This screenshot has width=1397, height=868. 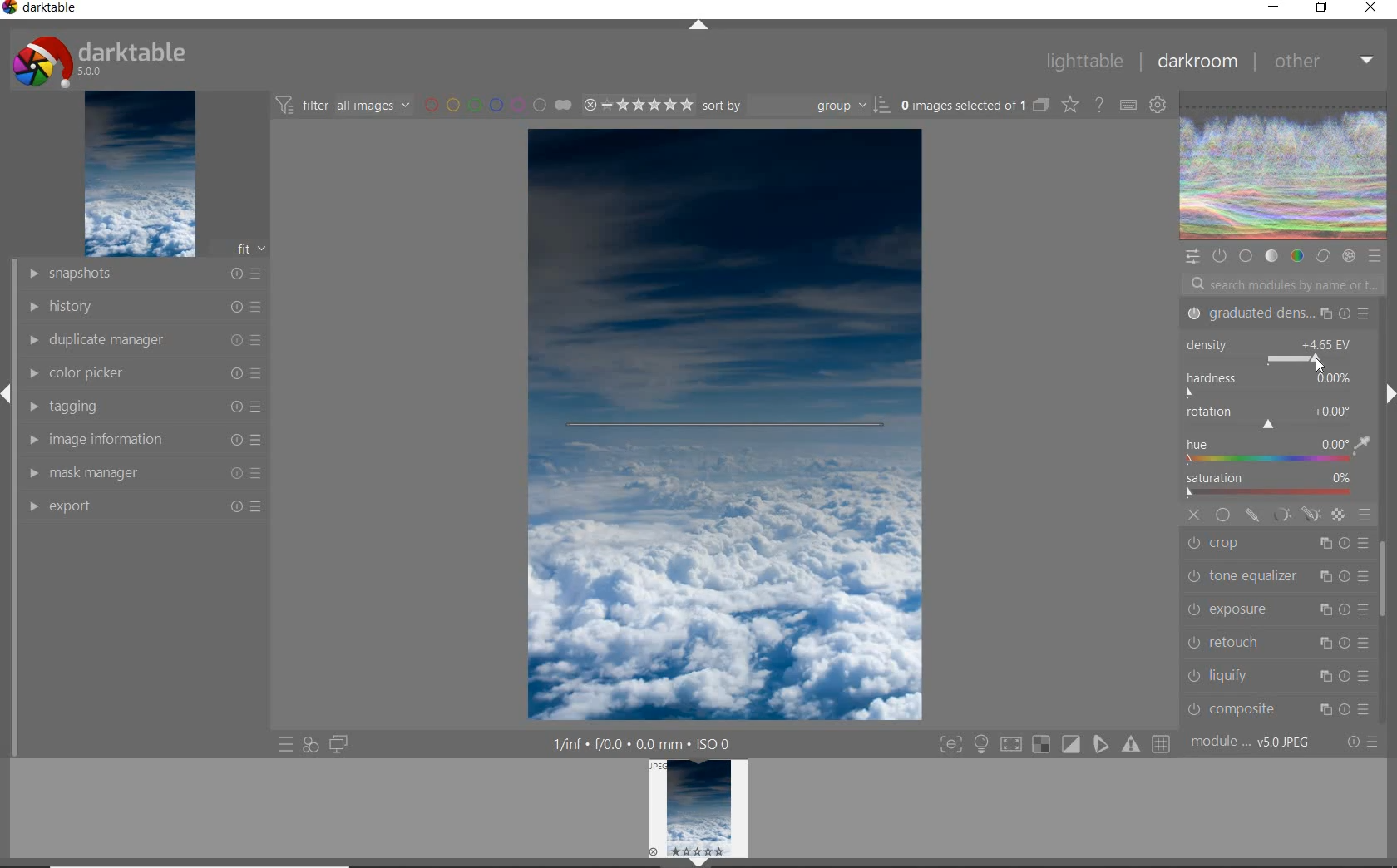 What do you see at coordinates (1192, 254) in the screenshot?
I see `QUICK ACCESS PANEL` at bounding box center [1192, 254].